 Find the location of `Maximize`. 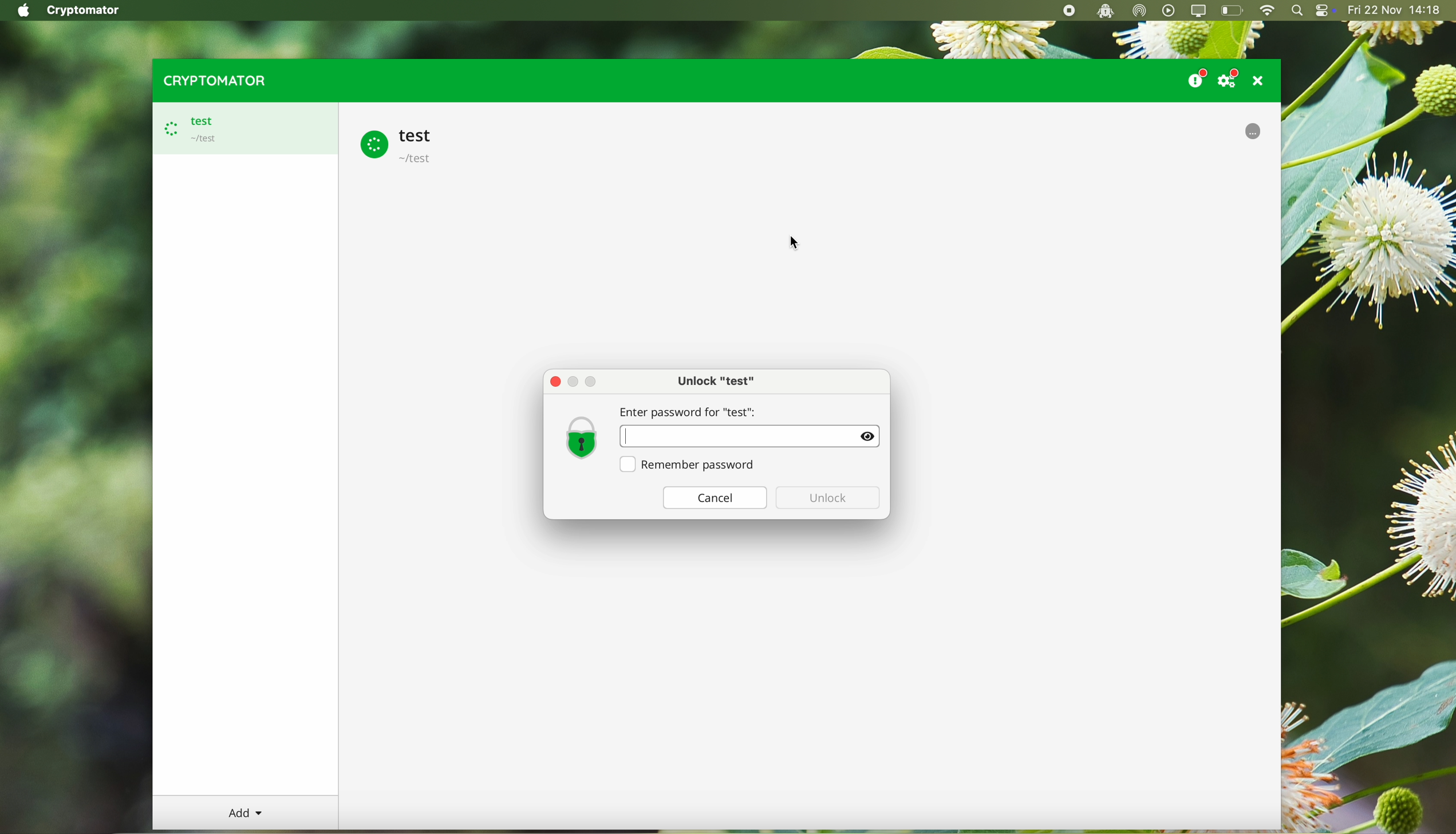

Maximize is located at coordinates (595, 382).